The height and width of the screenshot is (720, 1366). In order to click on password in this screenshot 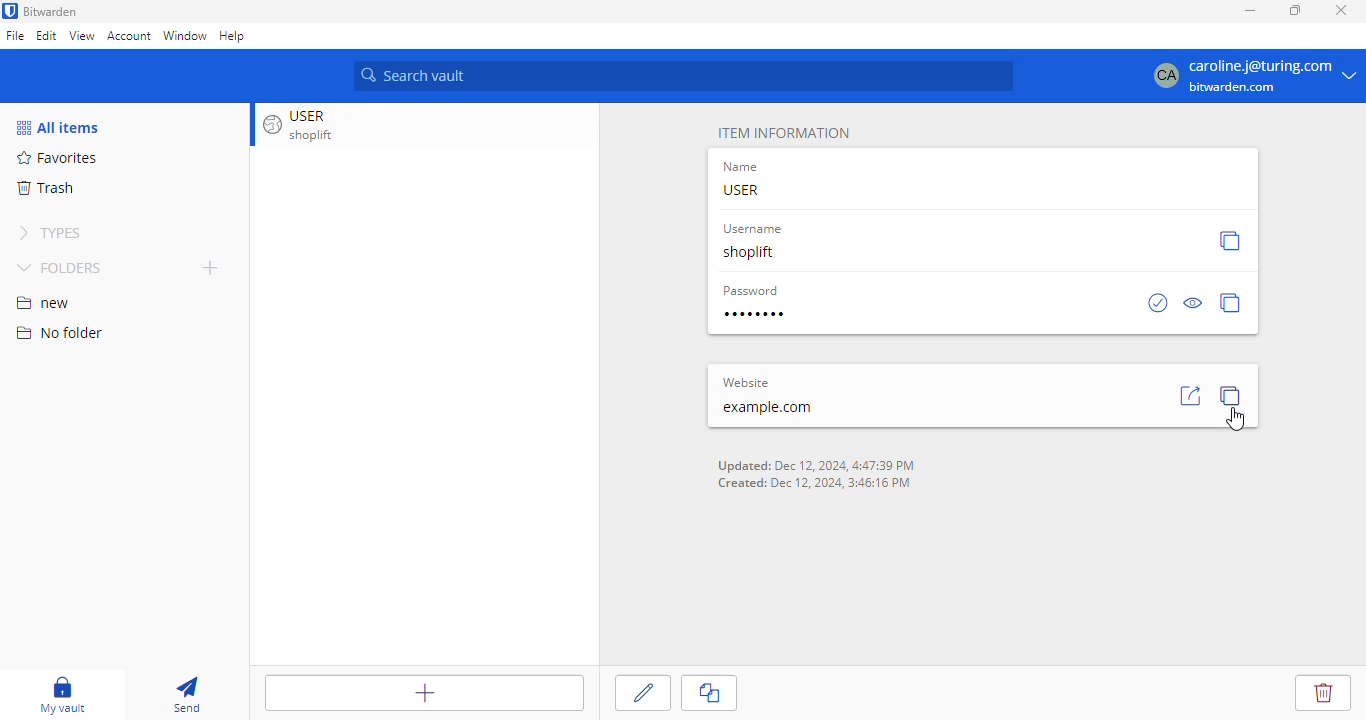, I will do `click(756, 314)`.